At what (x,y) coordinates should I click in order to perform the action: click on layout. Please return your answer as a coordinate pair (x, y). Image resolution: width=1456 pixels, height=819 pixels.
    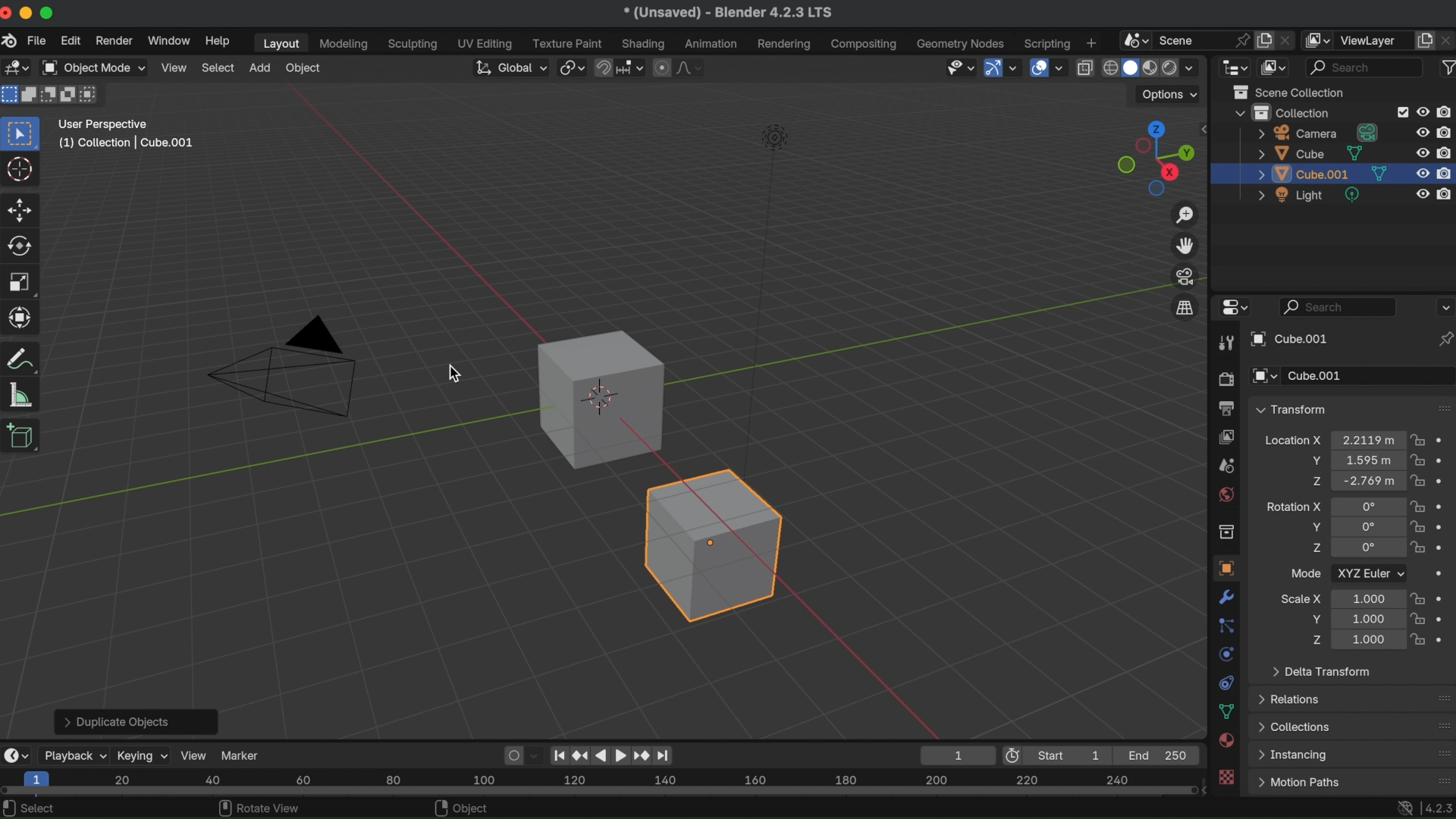
    Looking at the image, I should click on (278, 43).